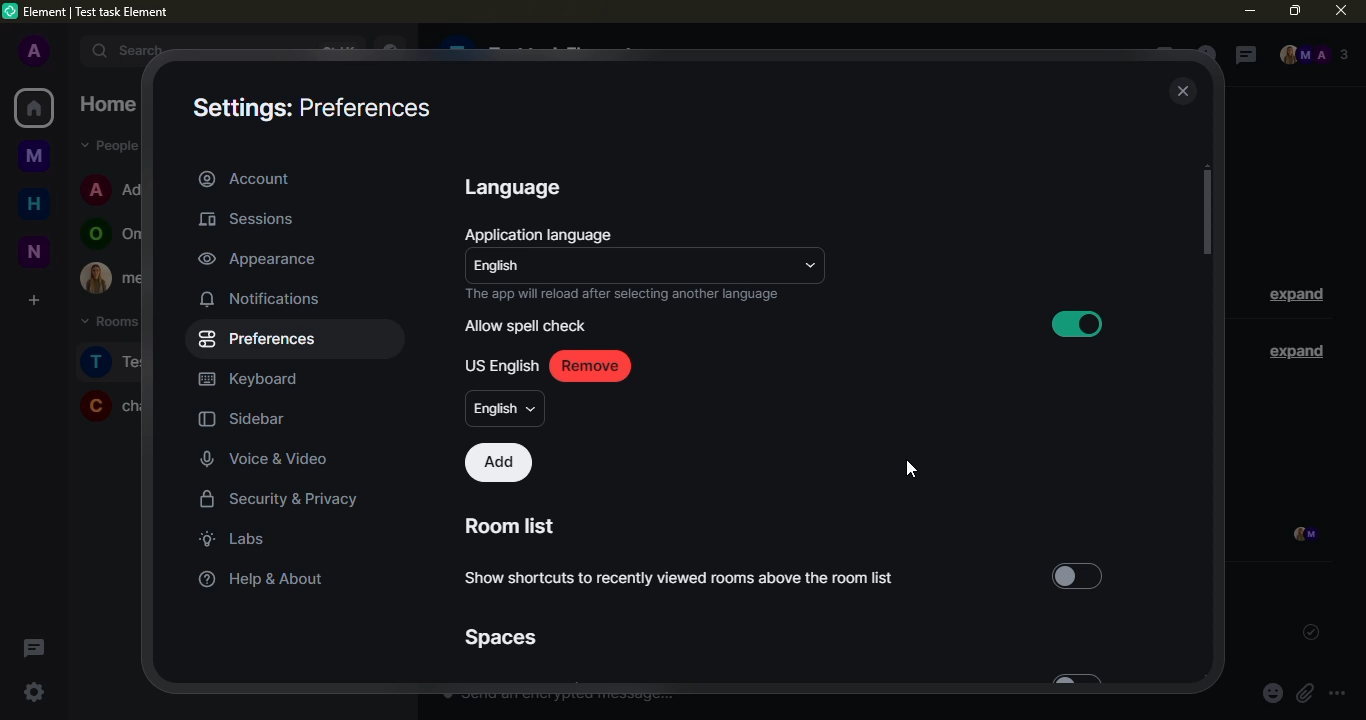  What do you see at coordinates (808, 265) in the screenshot?
I see `drop down` at bounding box center [808, 265].